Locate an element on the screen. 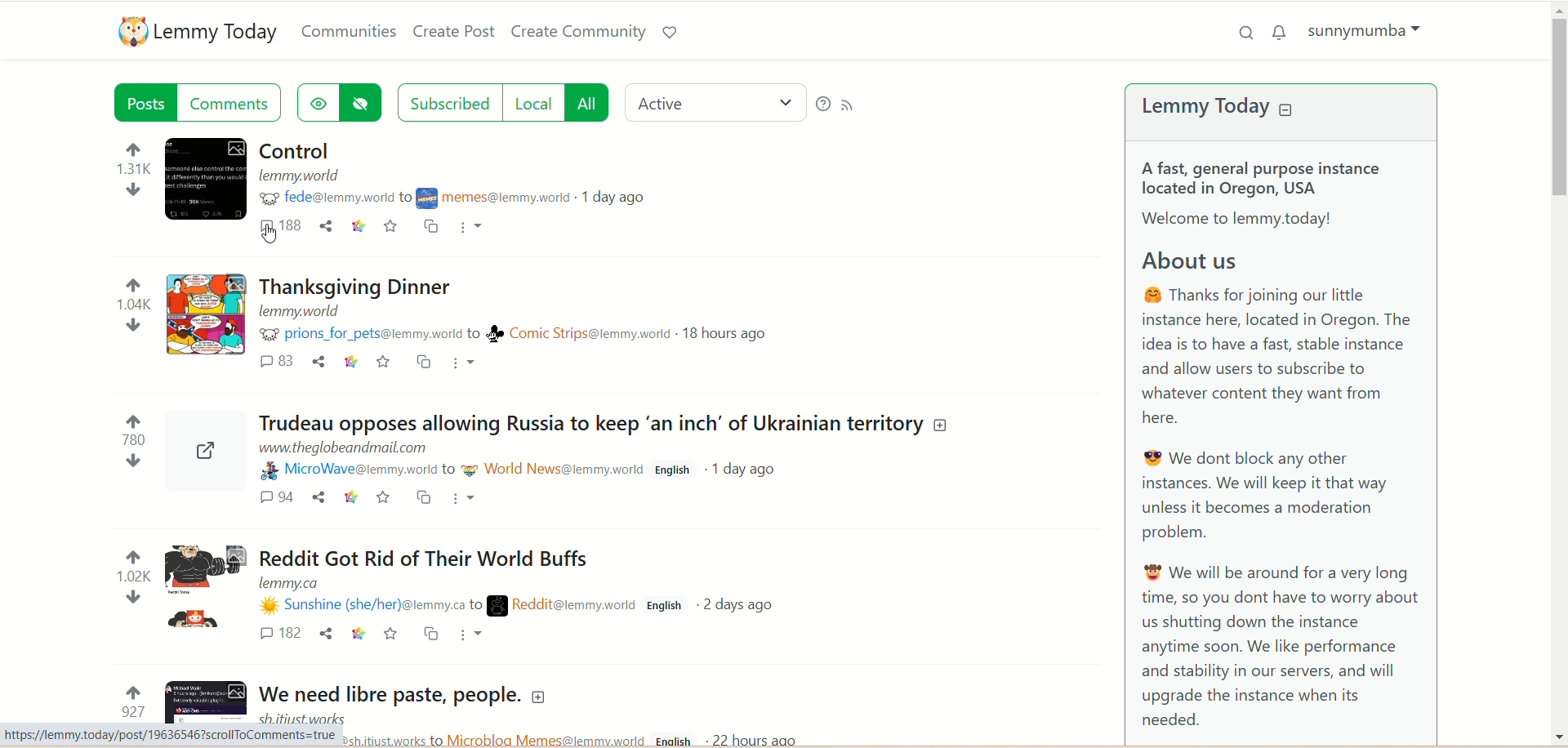 The width and height of the screenshot is (1568, 748). post is located at coordinates (143, 101).